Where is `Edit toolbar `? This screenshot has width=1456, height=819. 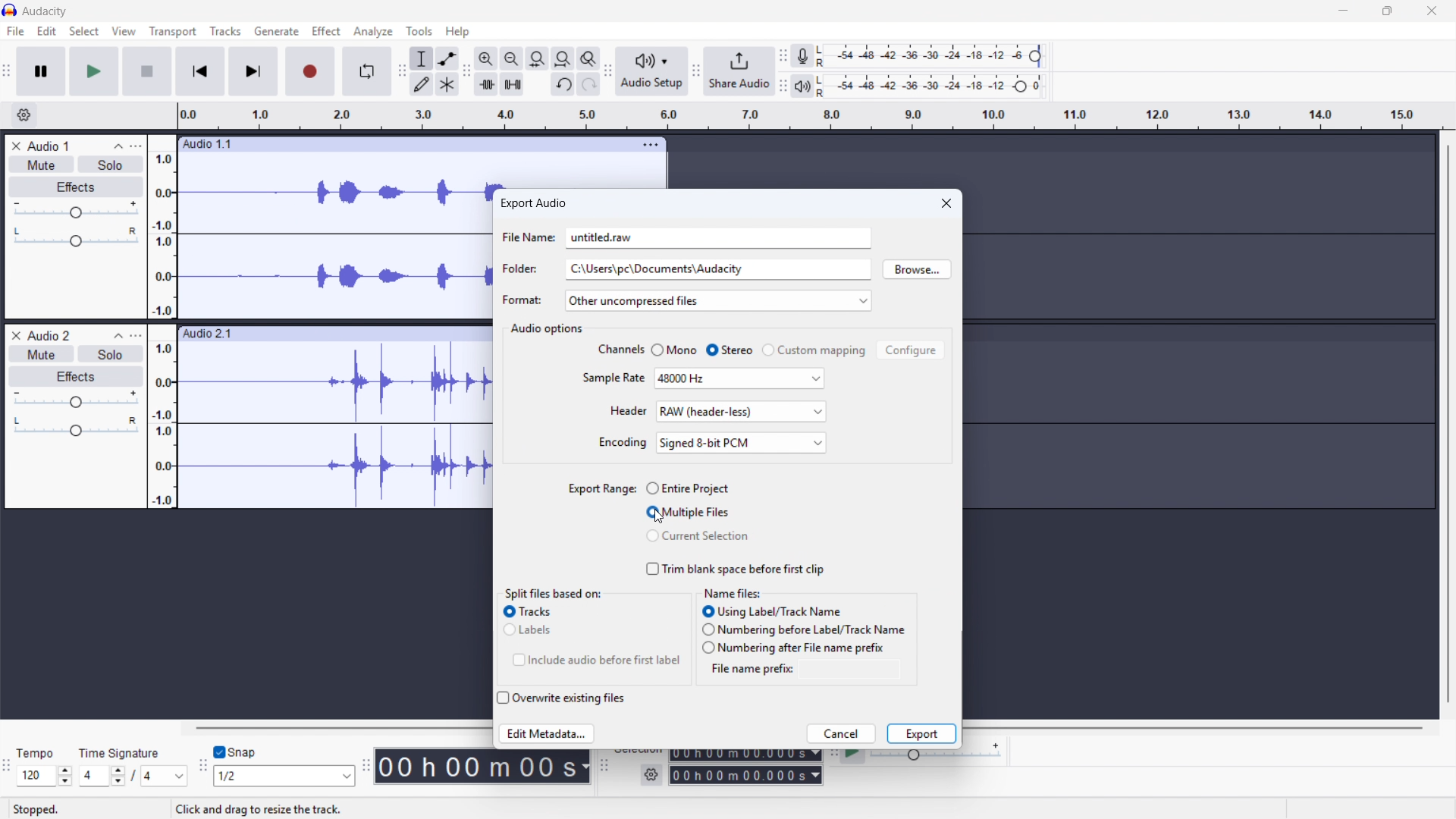 Edit toolbar  is located at coordinates (400, 73).